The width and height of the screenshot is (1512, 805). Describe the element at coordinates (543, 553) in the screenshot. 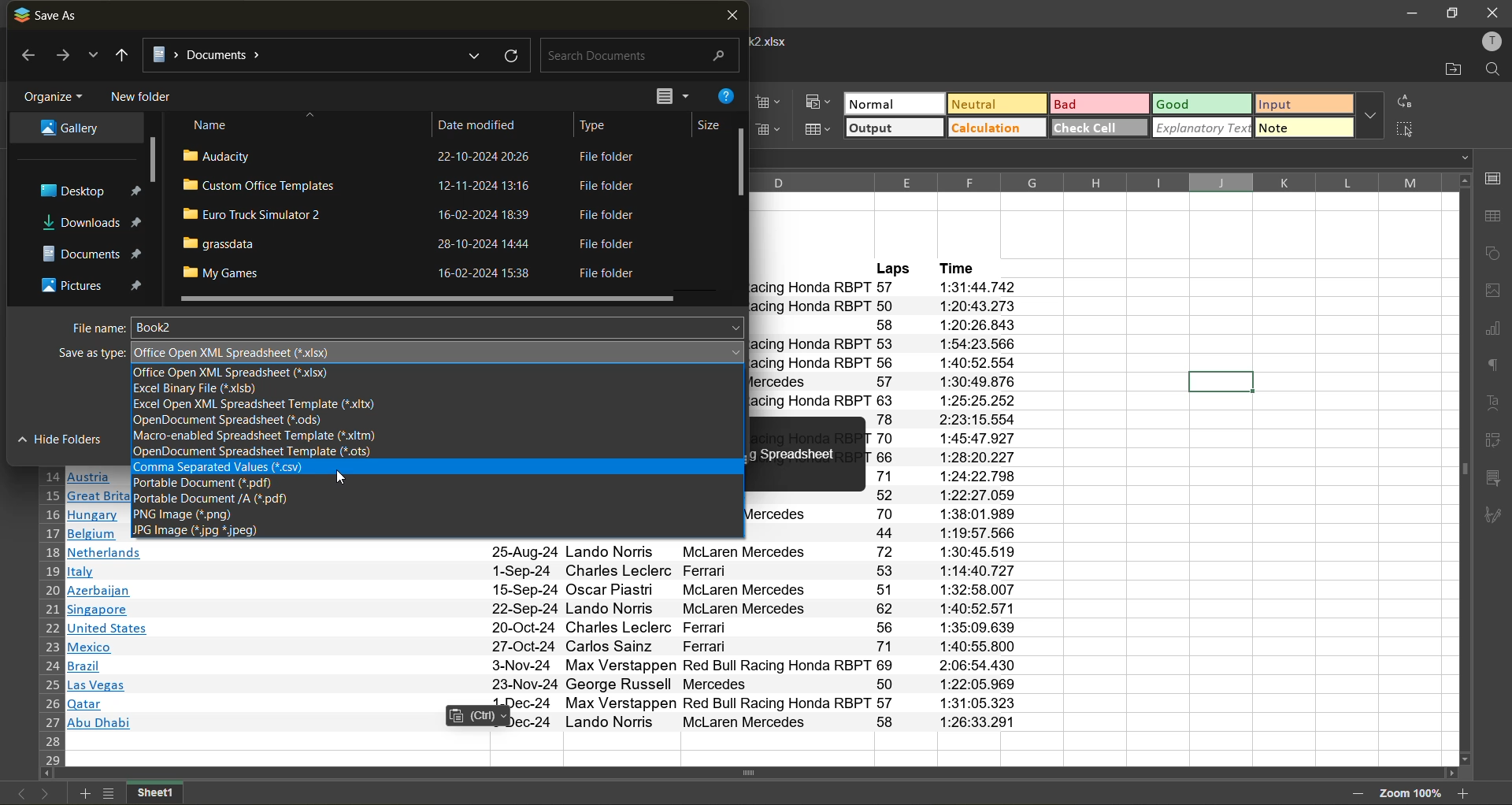

I see `text info` at that location.